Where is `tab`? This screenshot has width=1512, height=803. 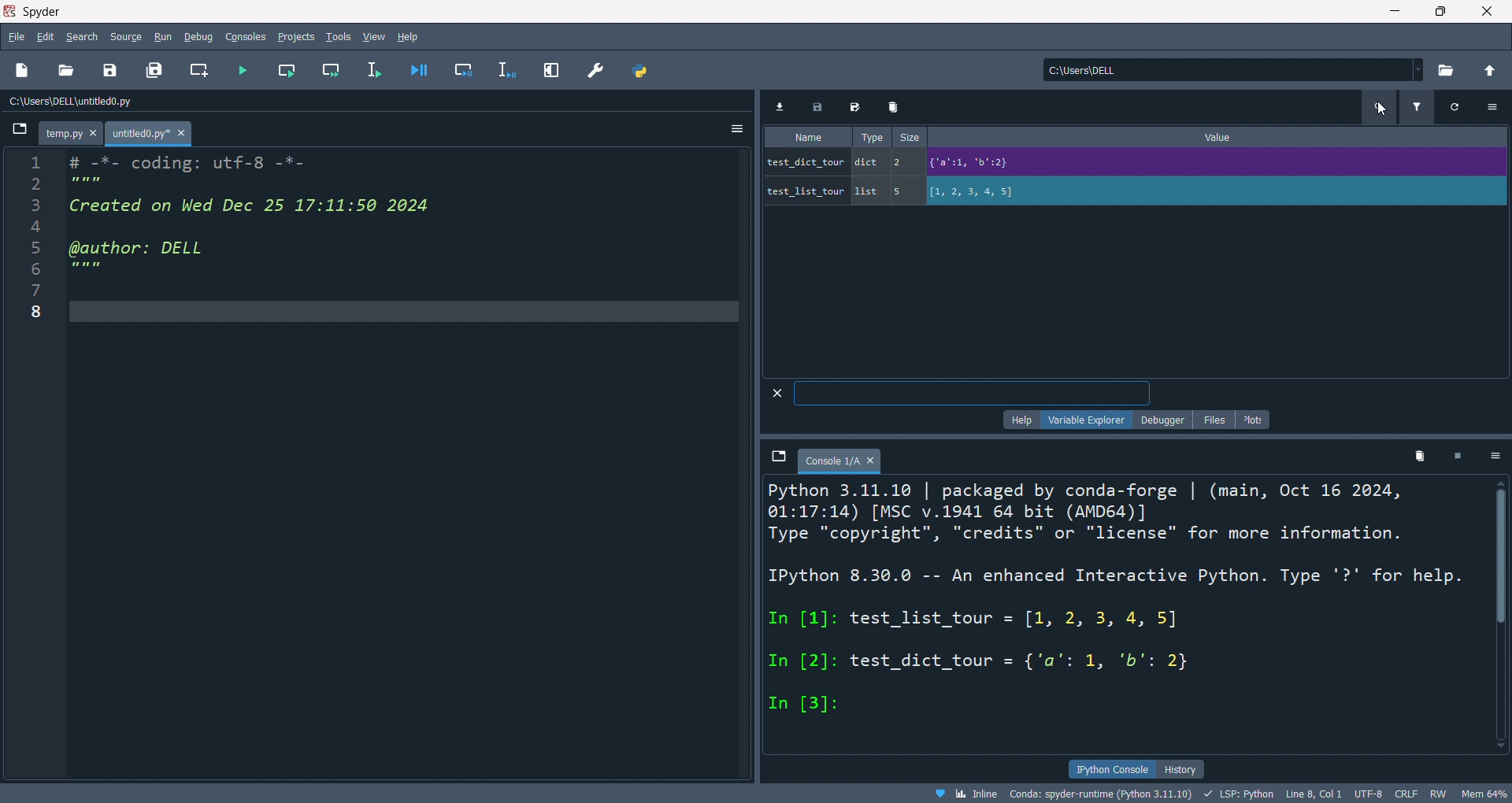 tab is located at coordinates (66, 134).